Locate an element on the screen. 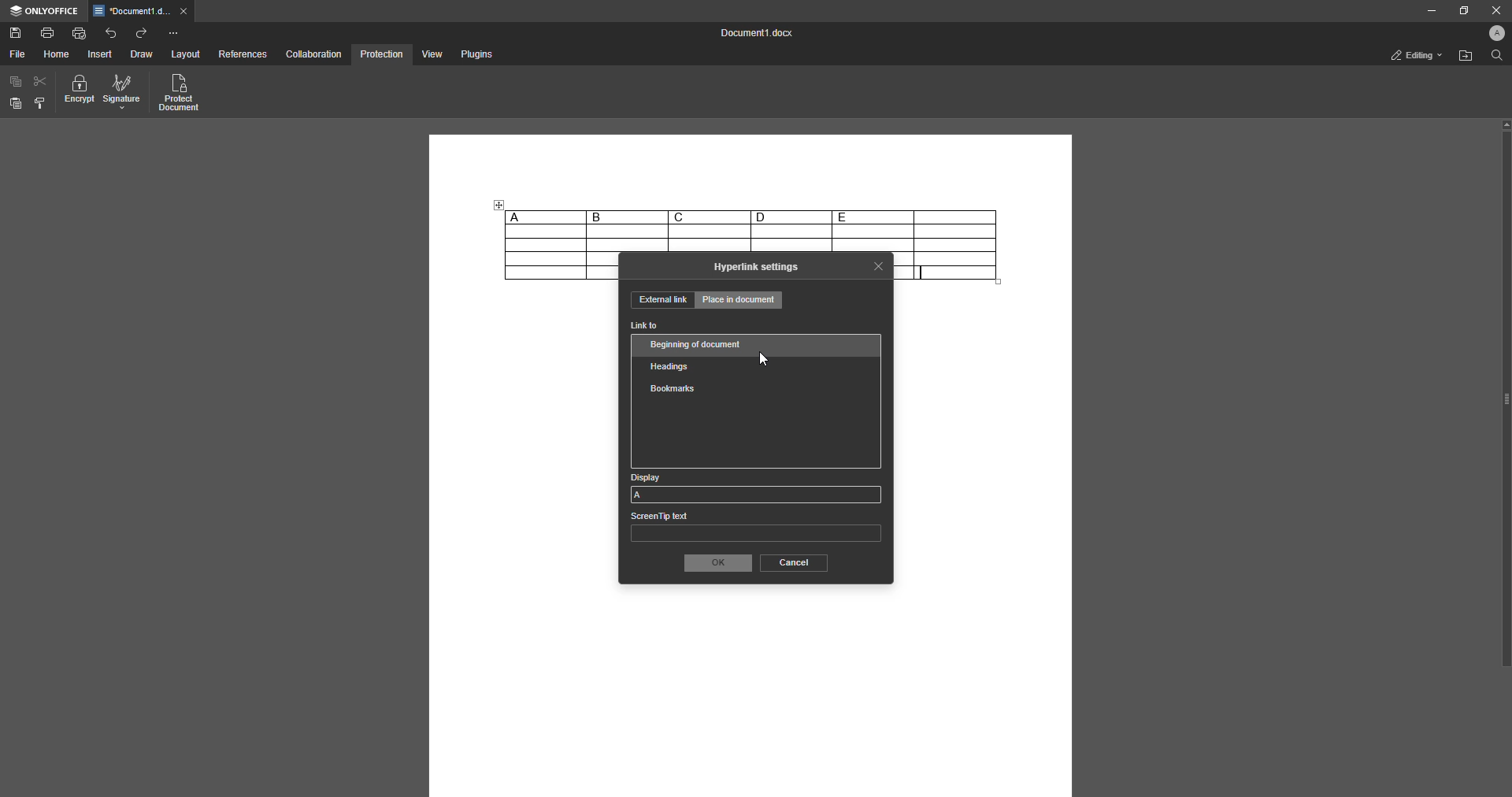 The width and height of the screenshot is (1512, 797). Protected Document is located at coordinates (180, 94).